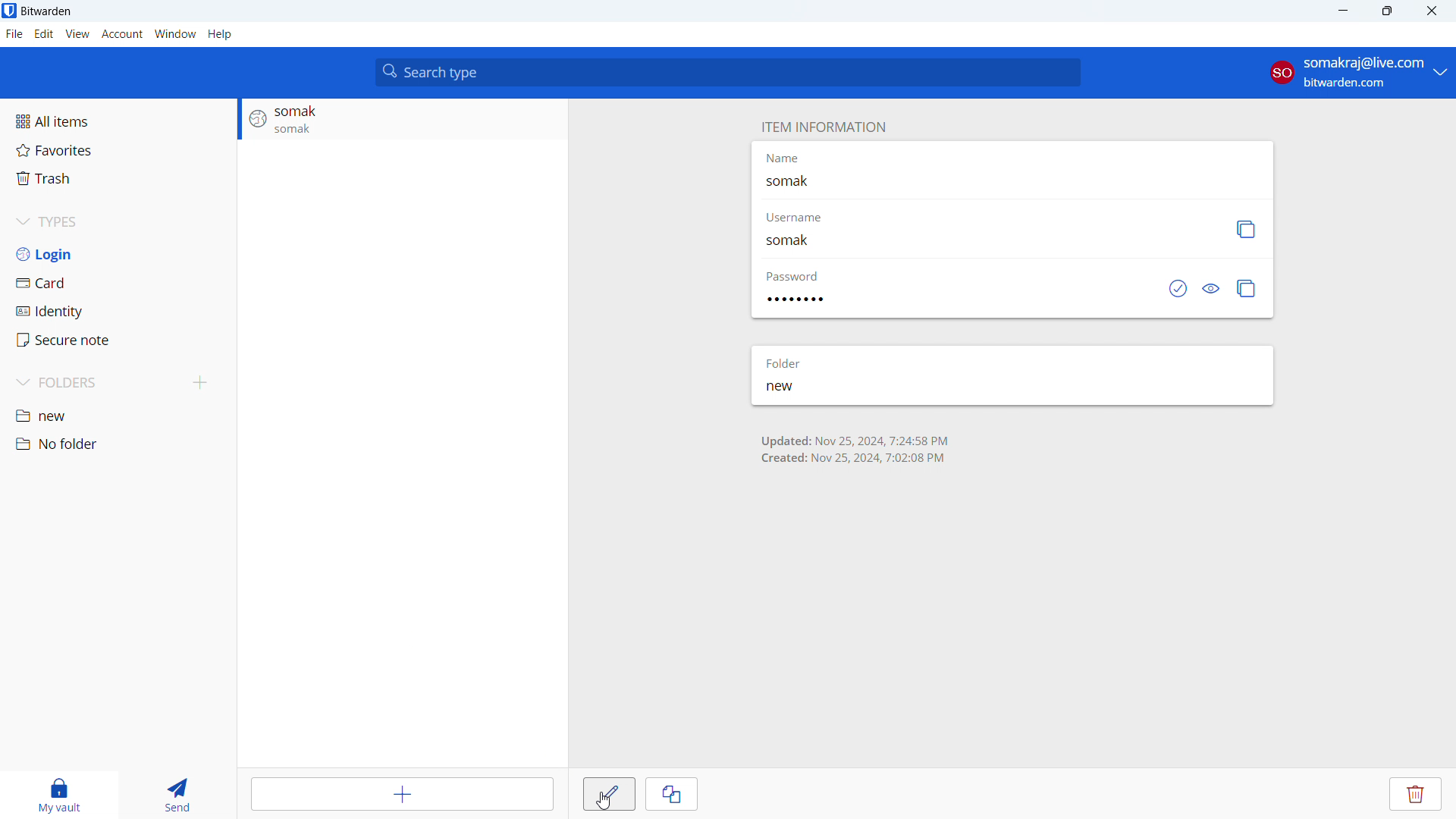 The image size is (1456, 819). I want to click on clone, so click(672, 794).